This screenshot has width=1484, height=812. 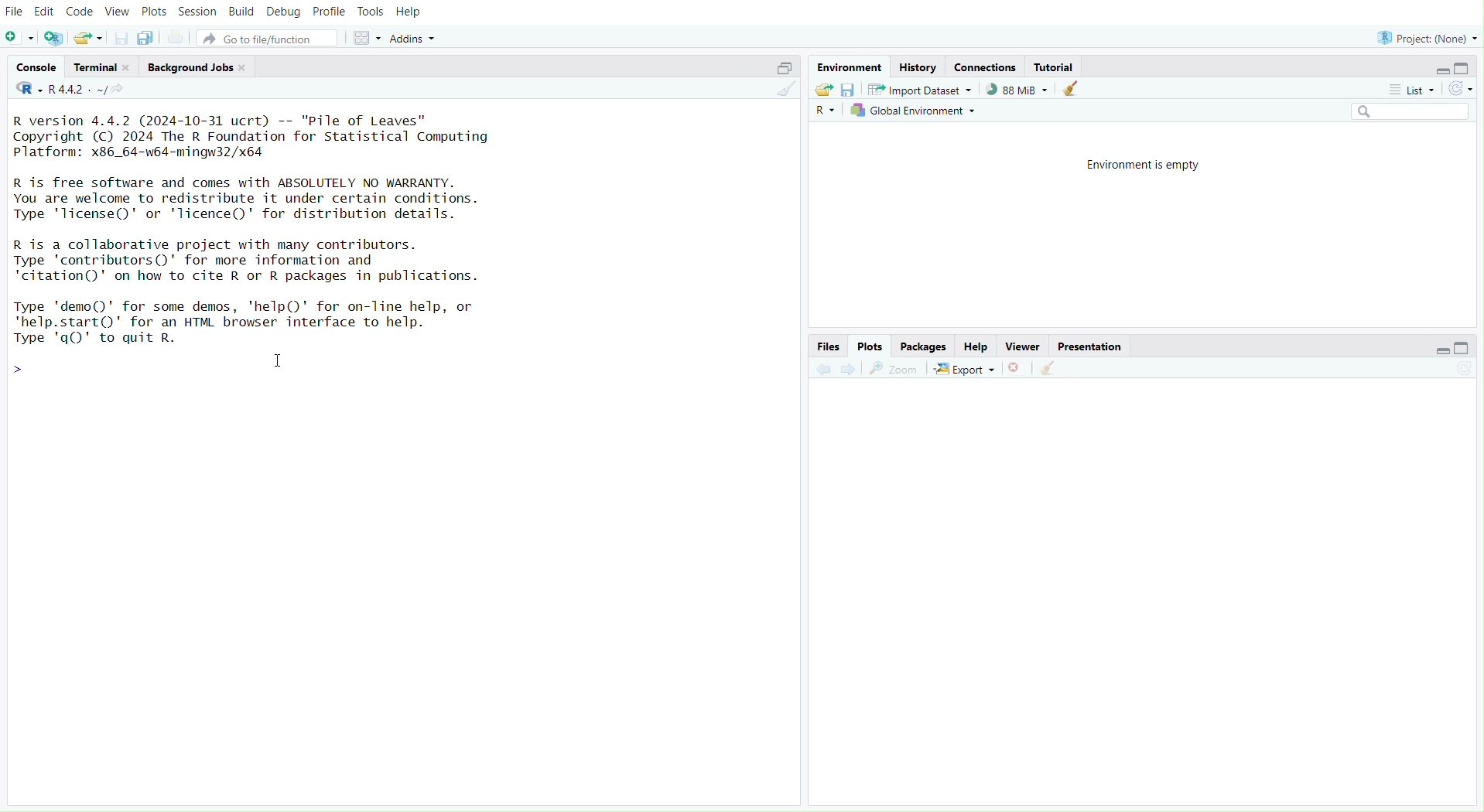 What do you see at coordinates (36, 69) in the screenshot?
I see `Console` at bounding box center [36, 69].